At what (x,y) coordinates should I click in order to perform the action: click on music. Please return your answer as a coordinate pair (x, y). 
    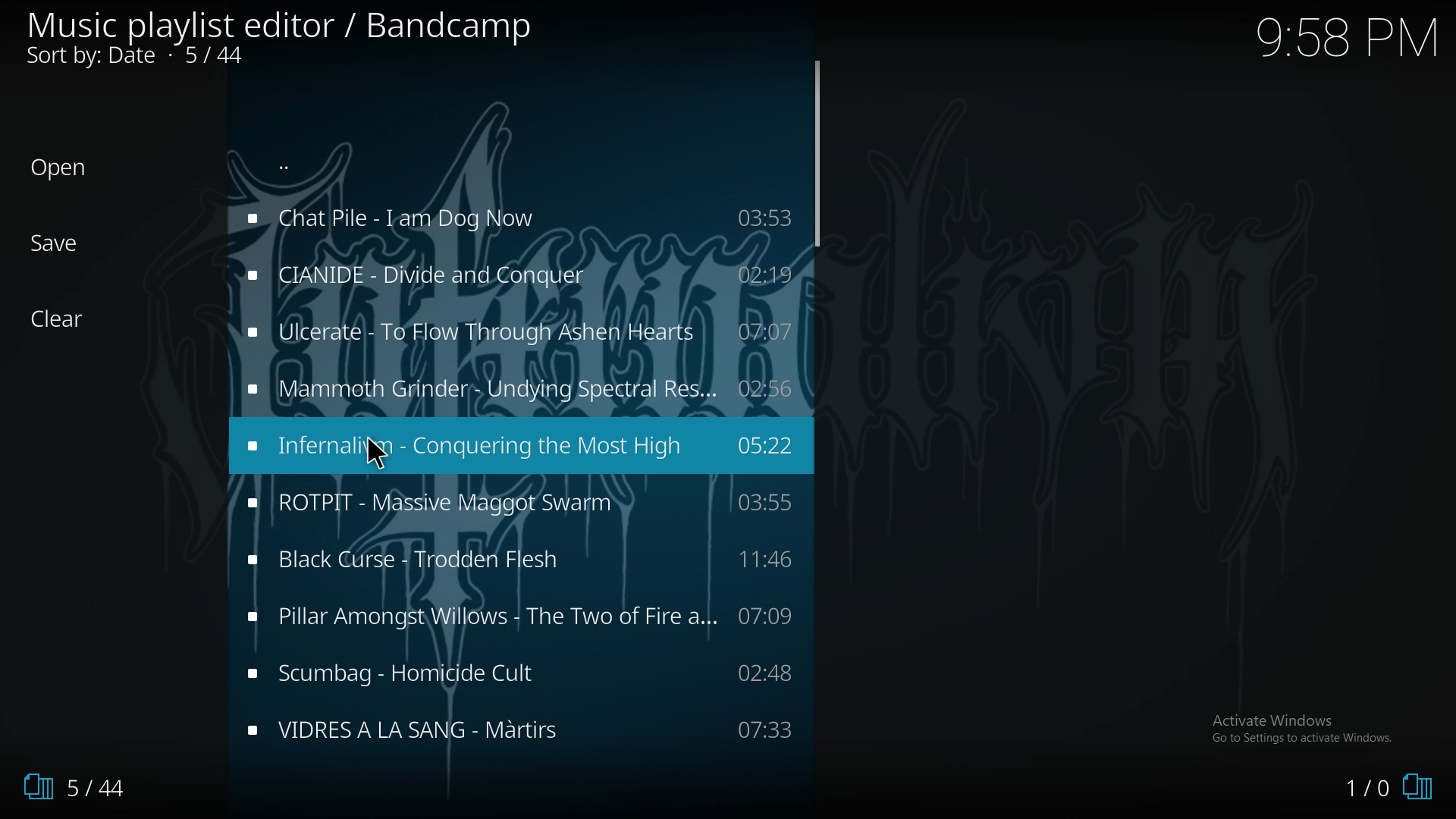
    Looking at the image, I should click on (519, 726).